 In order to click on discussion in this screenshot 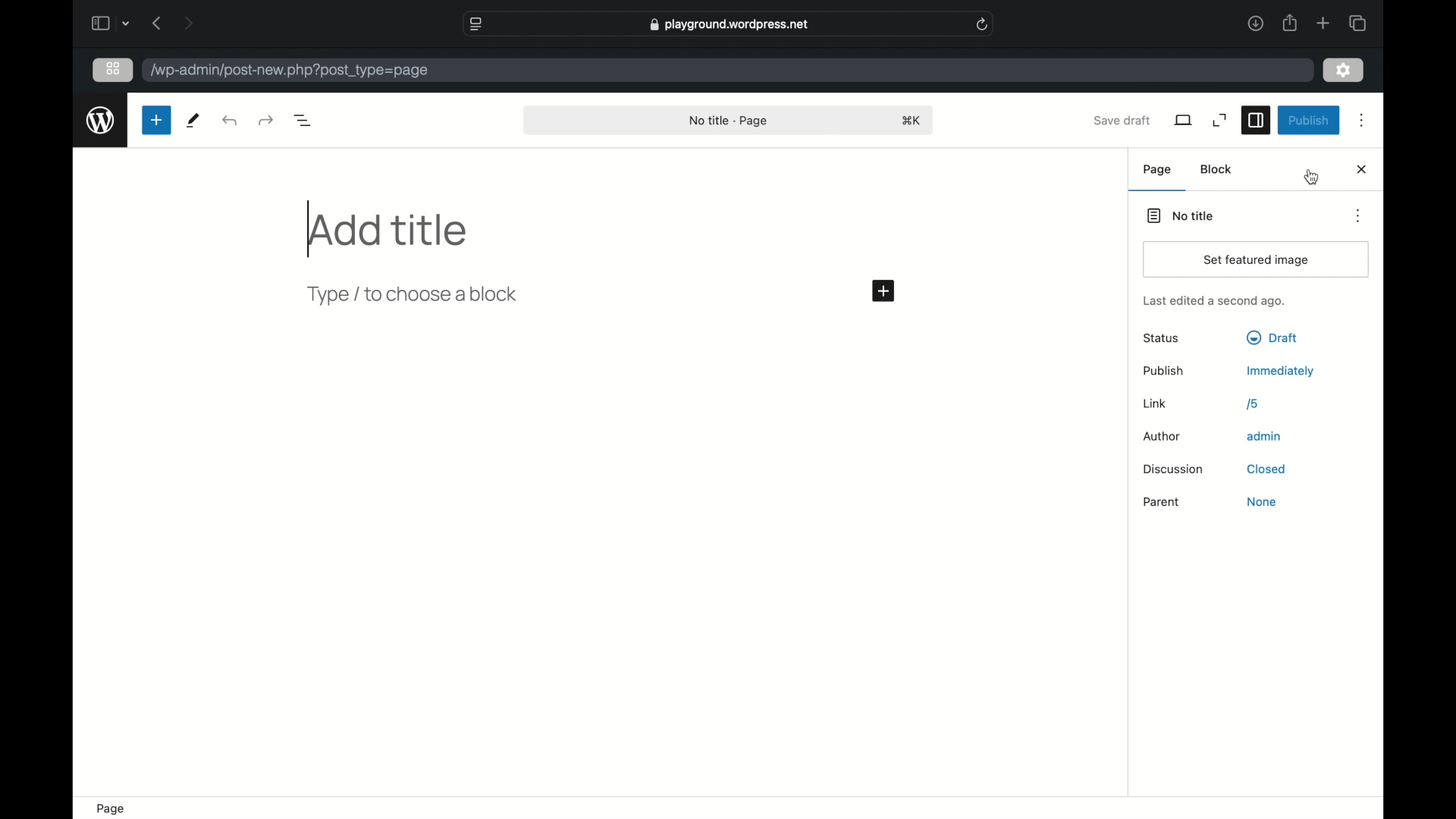, I will do `click(1175, 469)`.